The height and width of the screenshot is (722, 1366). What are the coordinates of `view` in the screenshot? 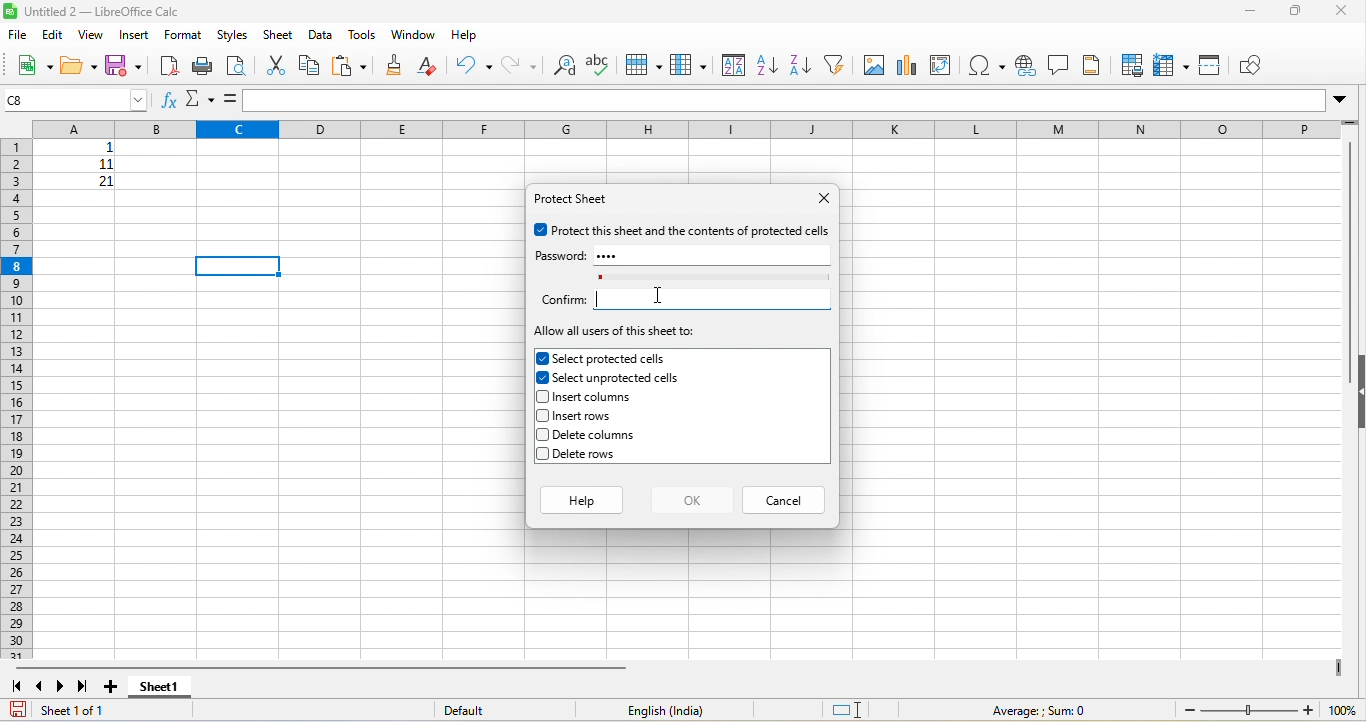 It's located at (92, 34).